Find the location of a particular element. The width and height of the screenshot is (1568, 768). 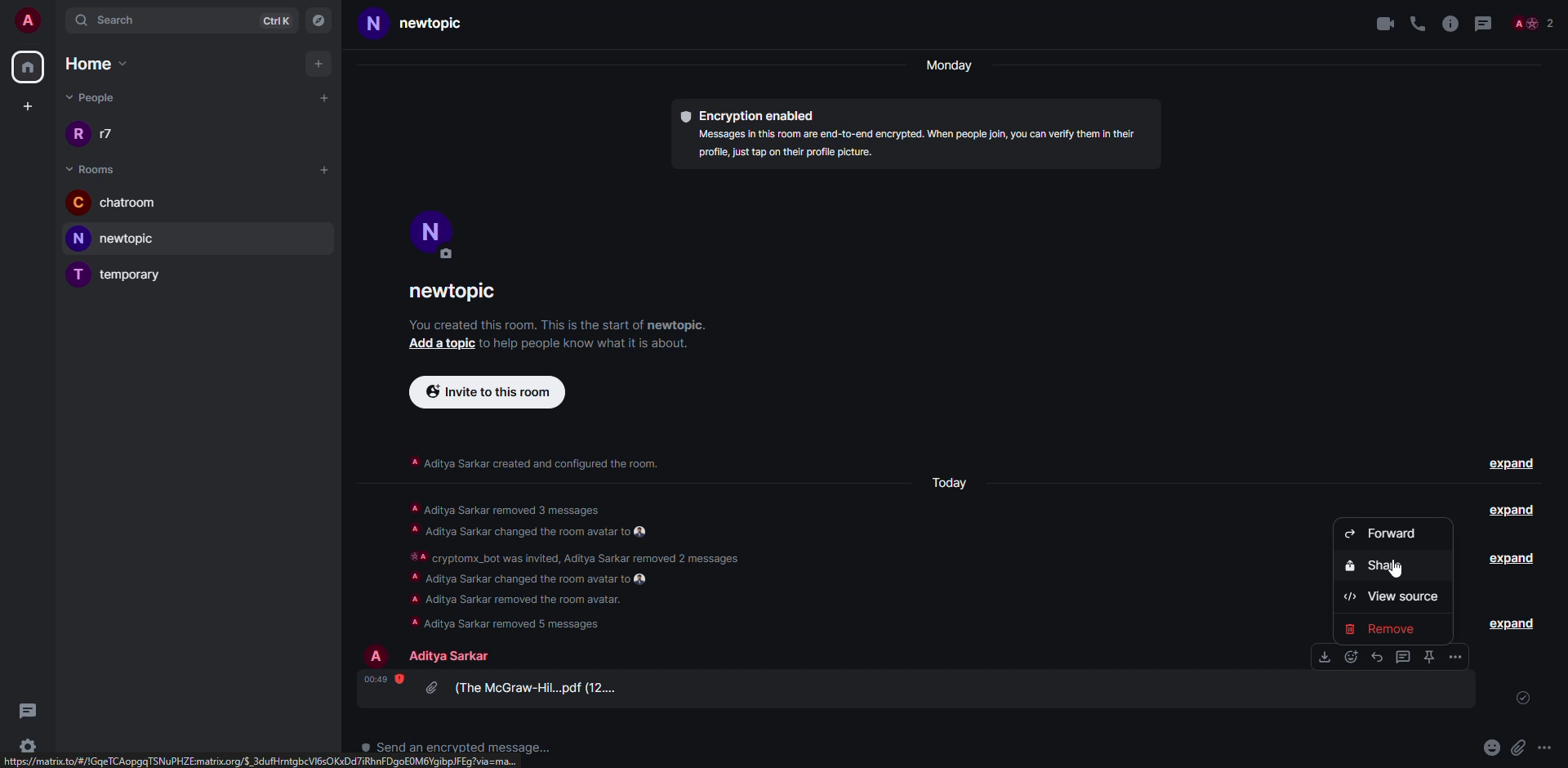

encryption enabled is located at coordinates (761, 114).